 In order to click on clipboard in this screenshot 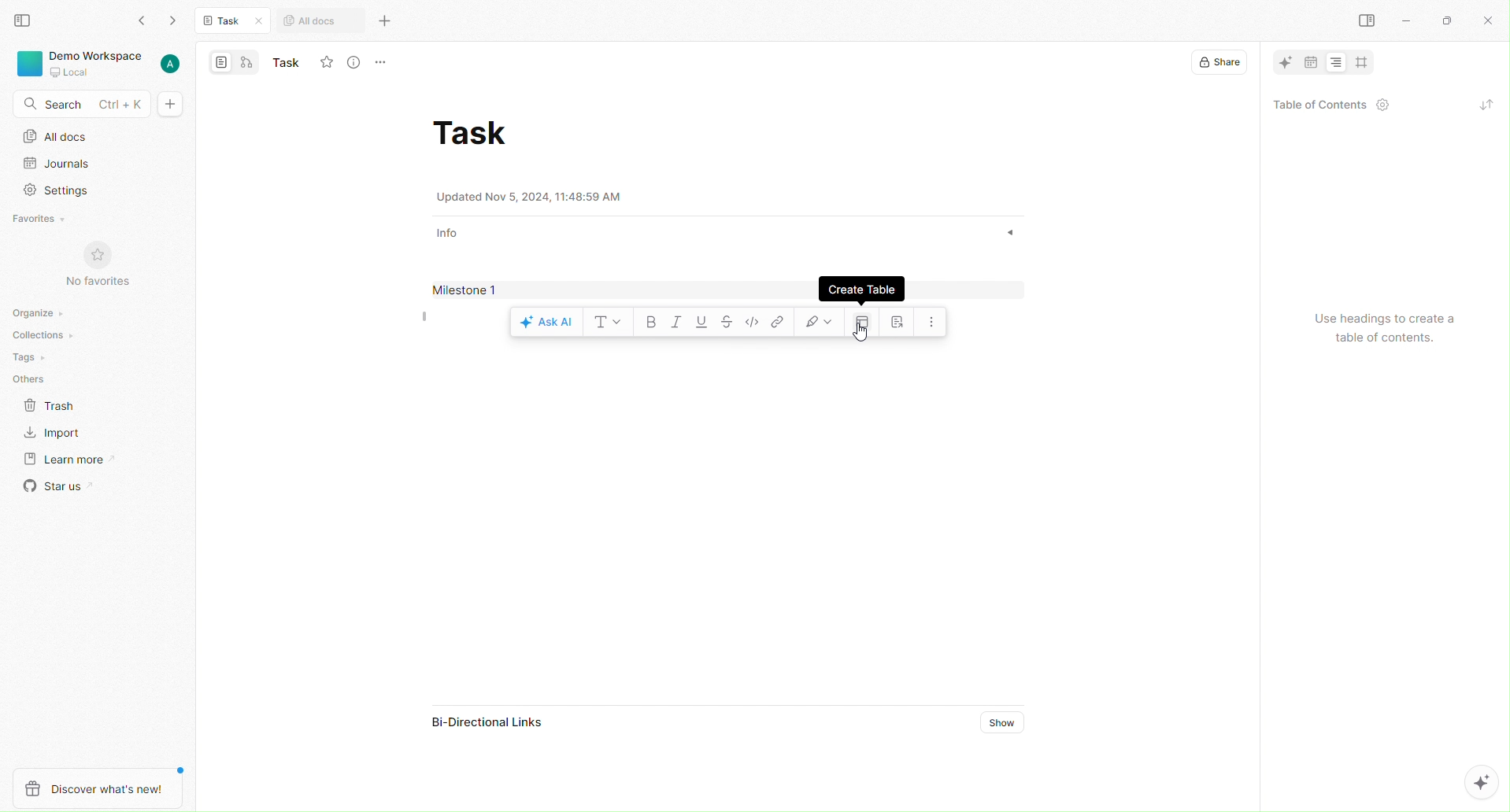, I will do `click(901, 323)`.